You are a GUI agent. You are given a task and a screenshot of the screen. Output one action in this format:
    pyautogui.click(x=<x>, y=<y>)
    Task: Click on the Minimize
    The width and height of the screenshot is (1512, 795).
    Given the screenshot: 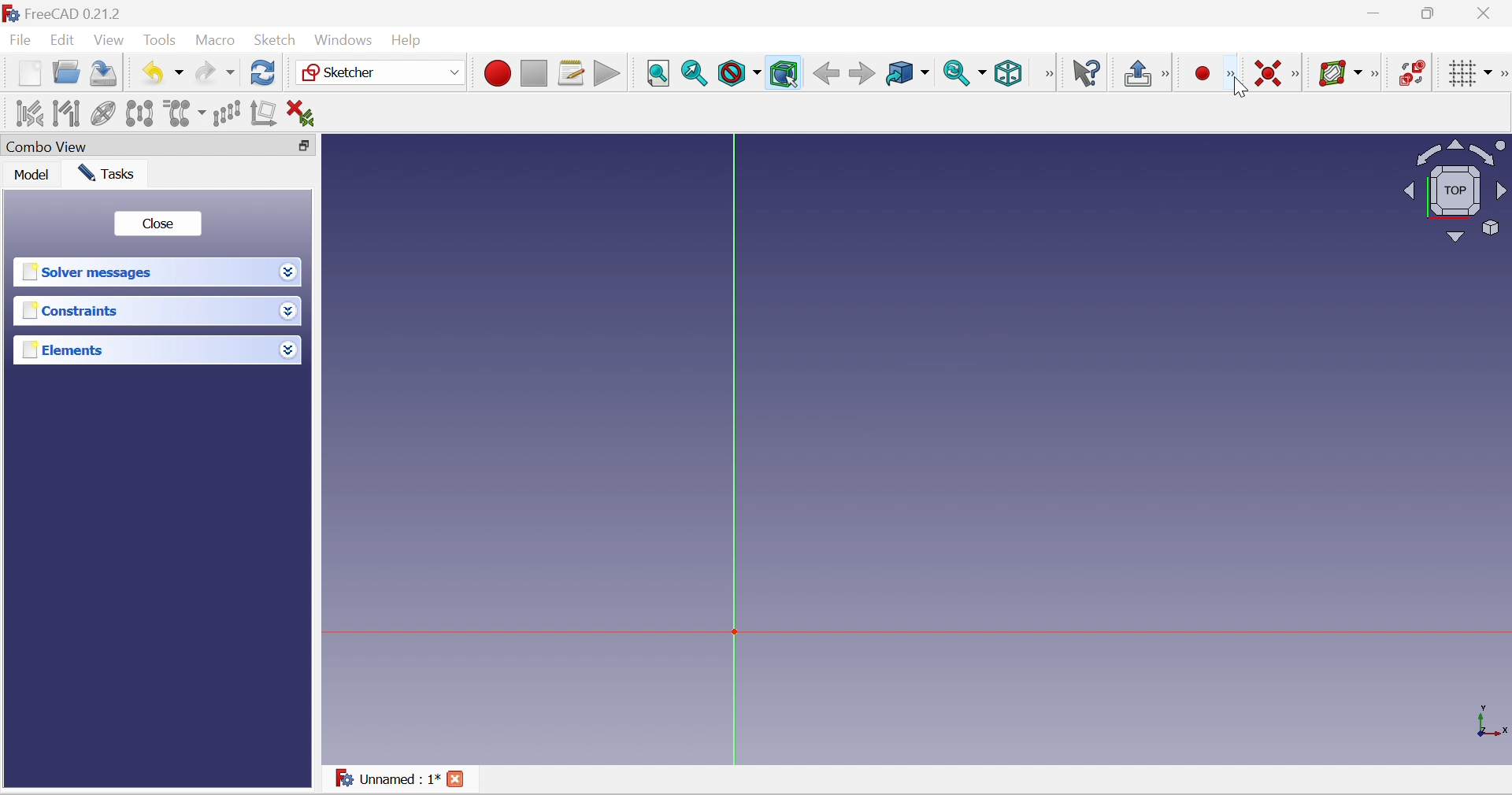 What is the action you would take?
    pyautogui.click(x=1373, y=13)
    